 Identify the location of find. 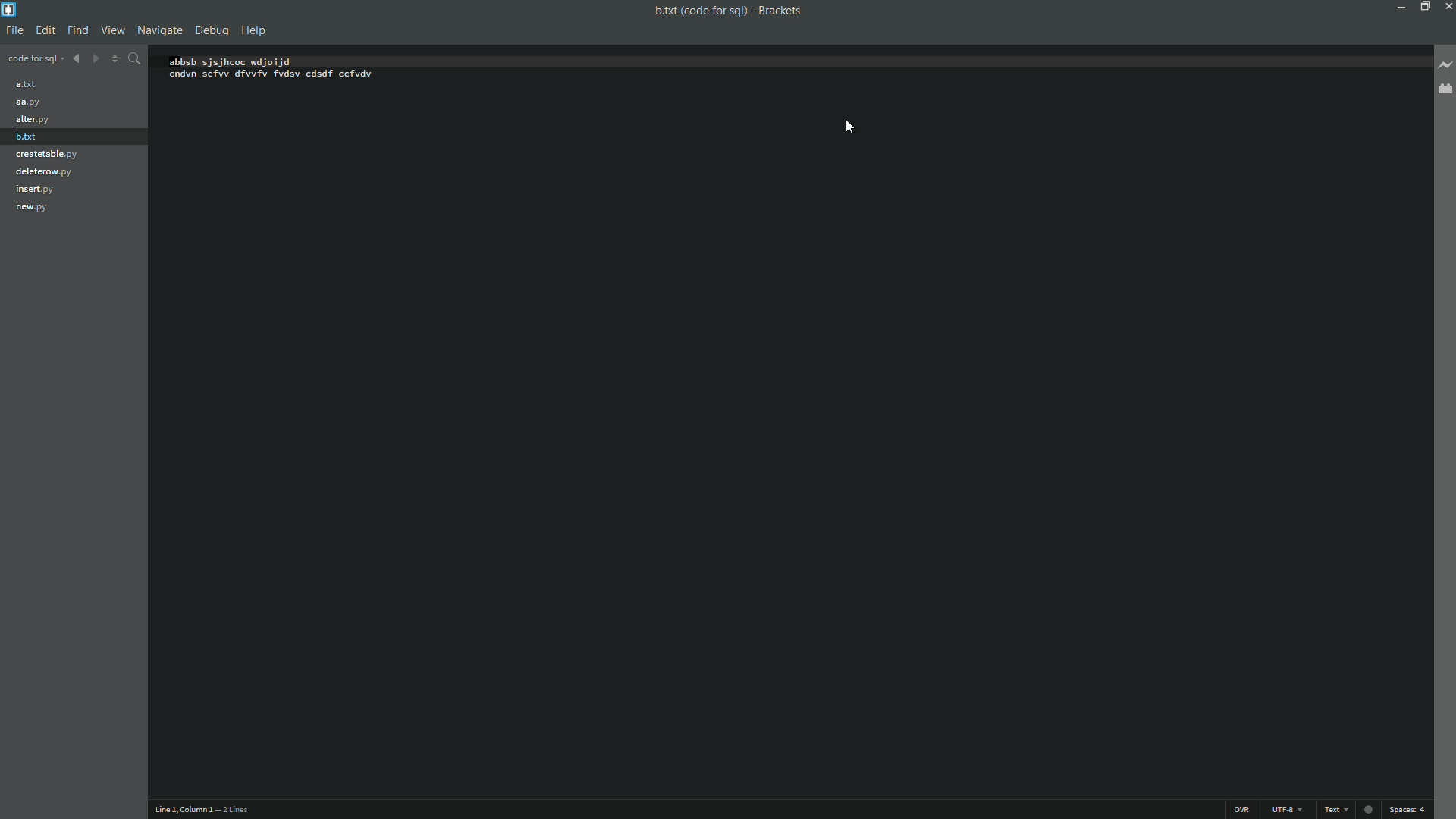
(77, 30).